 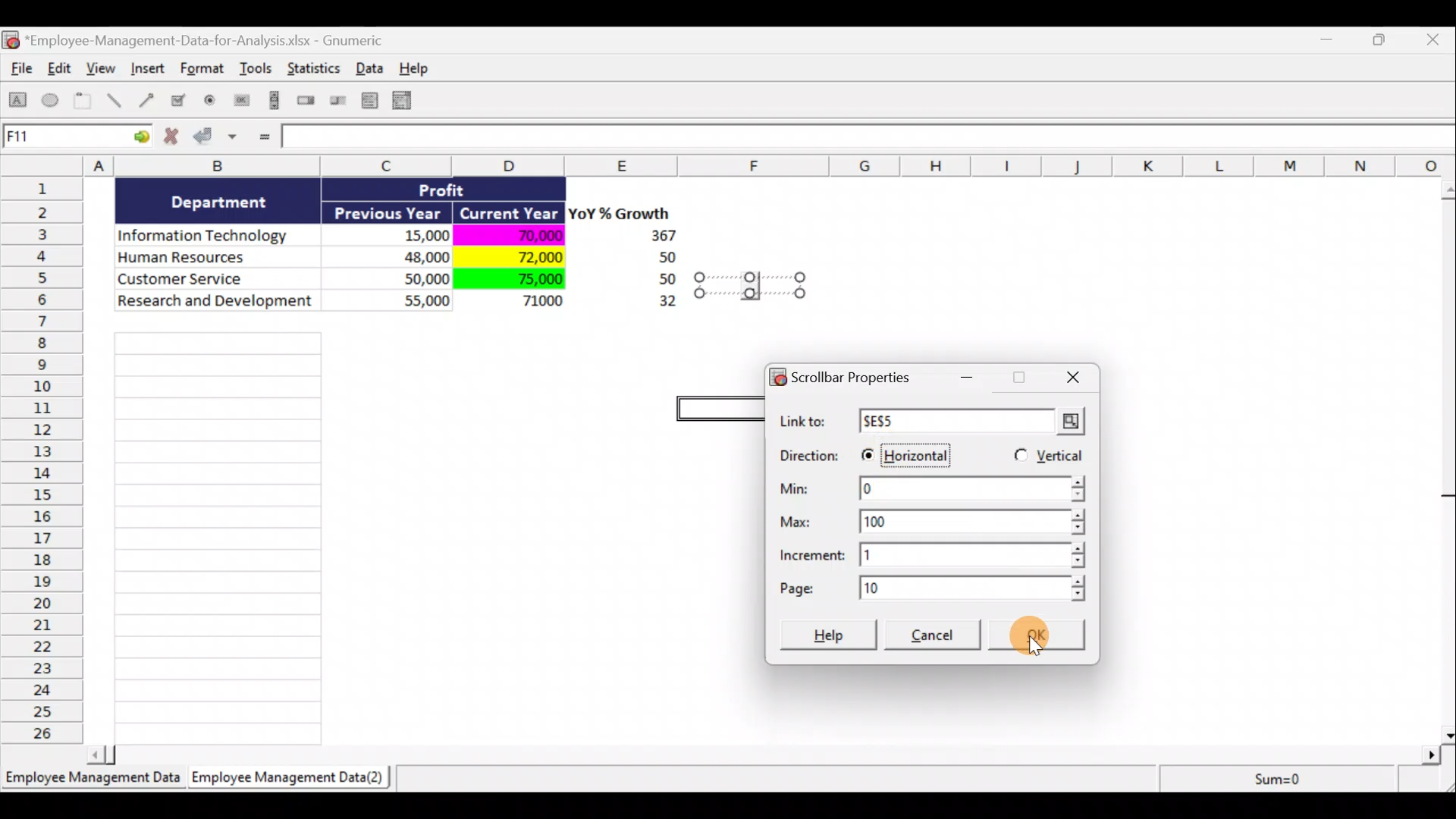 I want to click on Create a list, so click(x=366, y=100).